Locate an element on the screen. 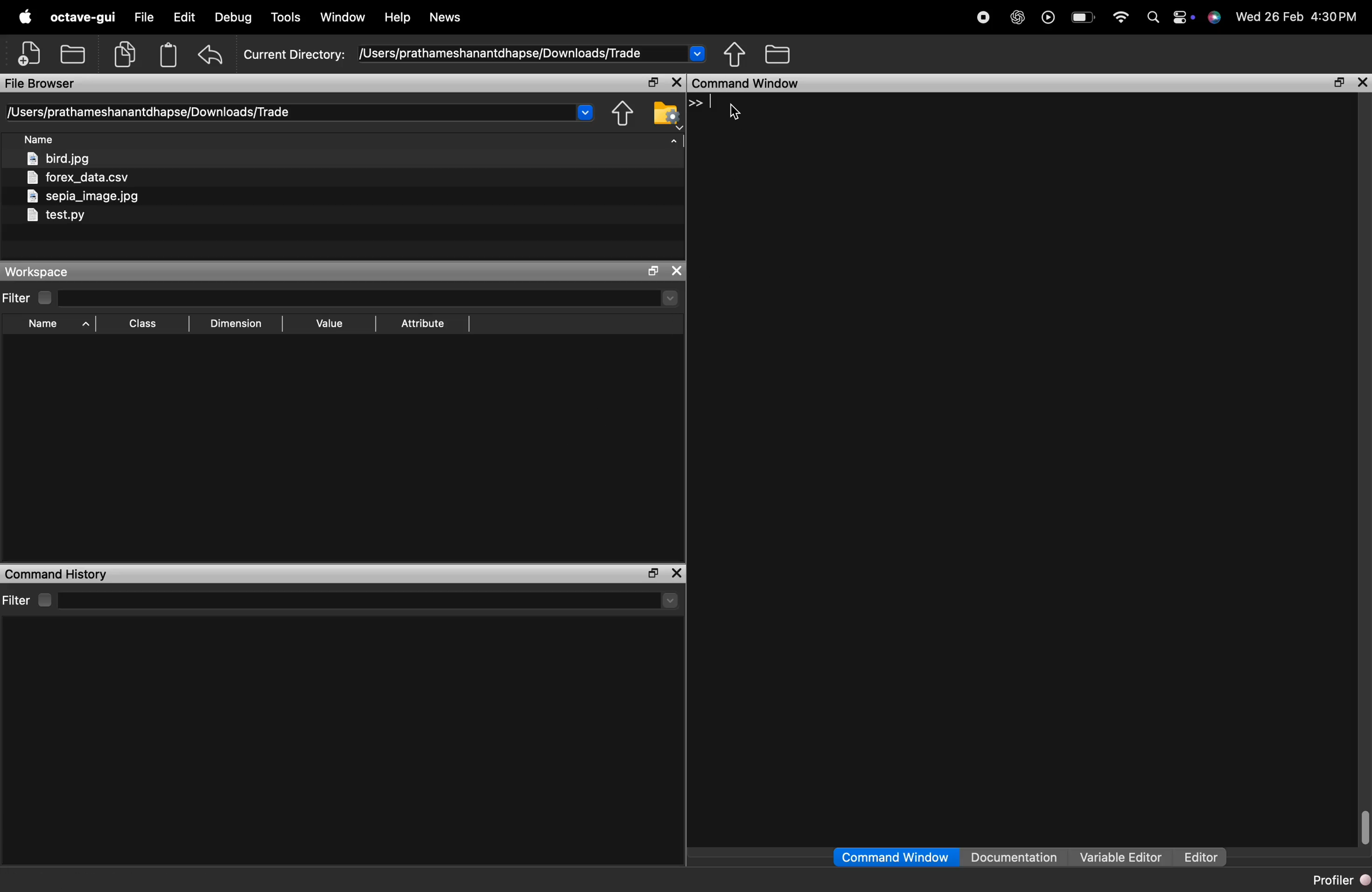  folder is located at coordinates (778, 54).